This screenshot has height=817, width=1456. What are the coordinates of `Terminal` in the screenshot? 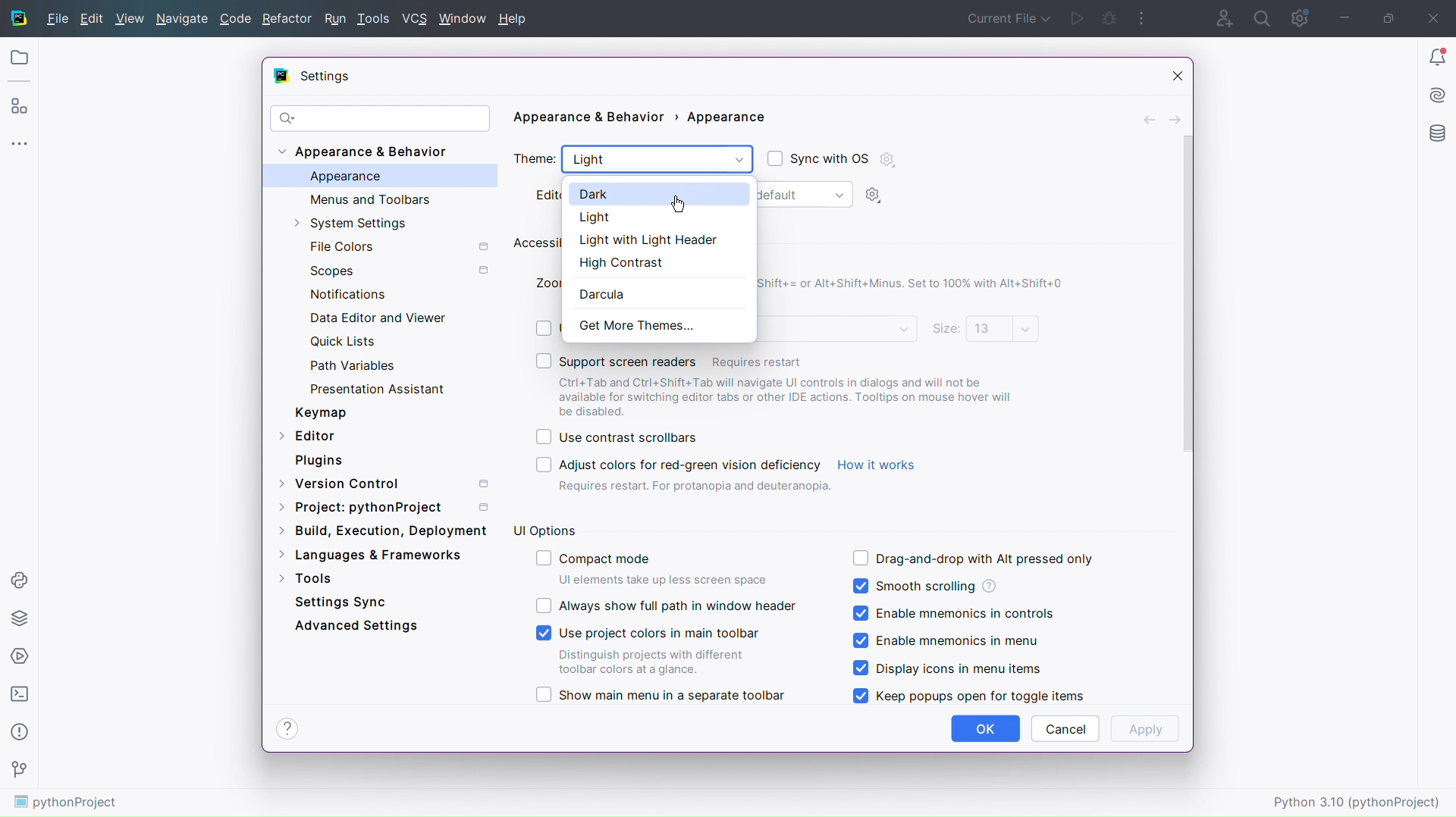 It's located at (19, 694).